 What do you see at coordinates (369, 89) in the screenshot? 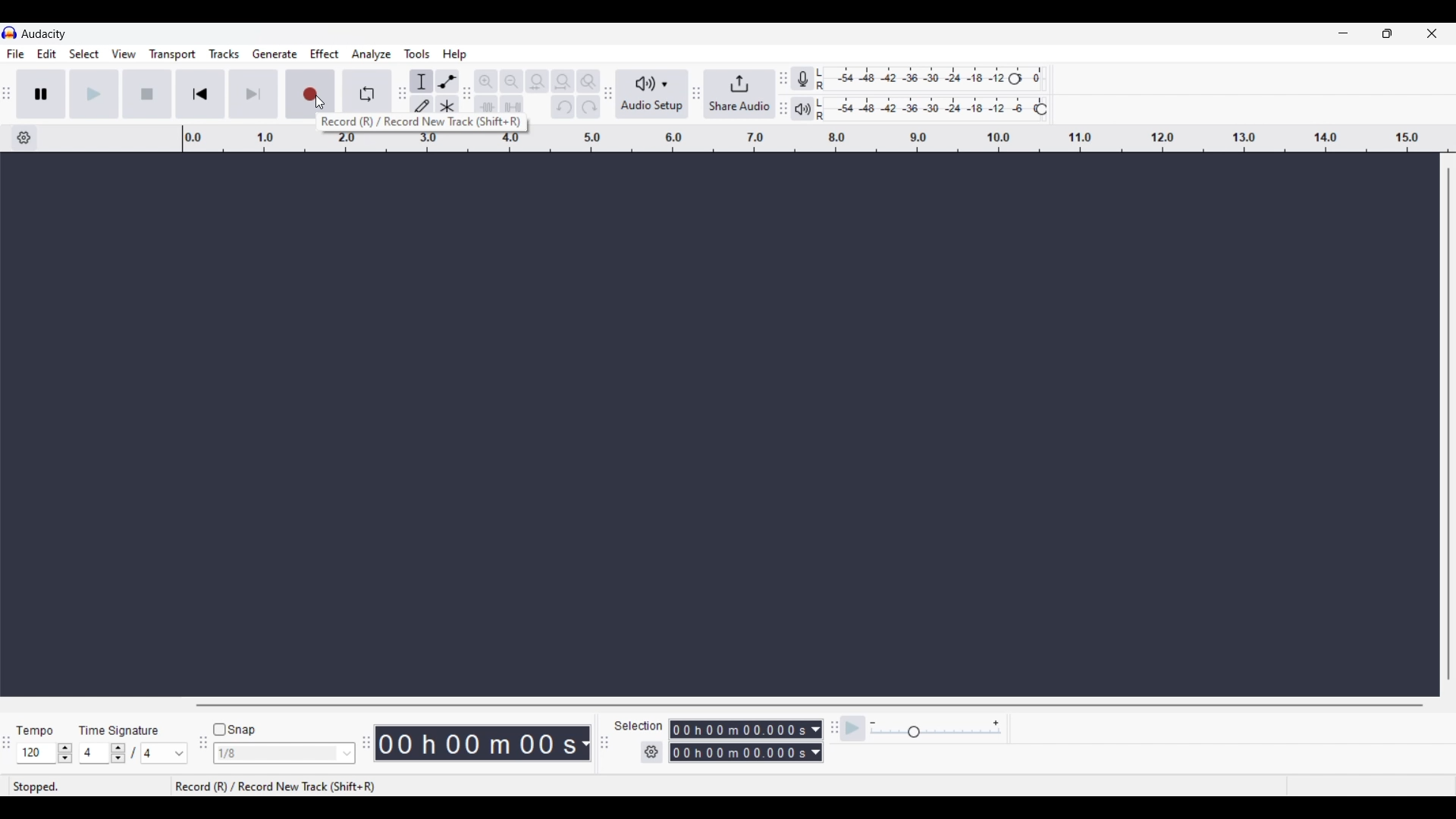
I see `Enable looping` at bounding box center [369, 89].